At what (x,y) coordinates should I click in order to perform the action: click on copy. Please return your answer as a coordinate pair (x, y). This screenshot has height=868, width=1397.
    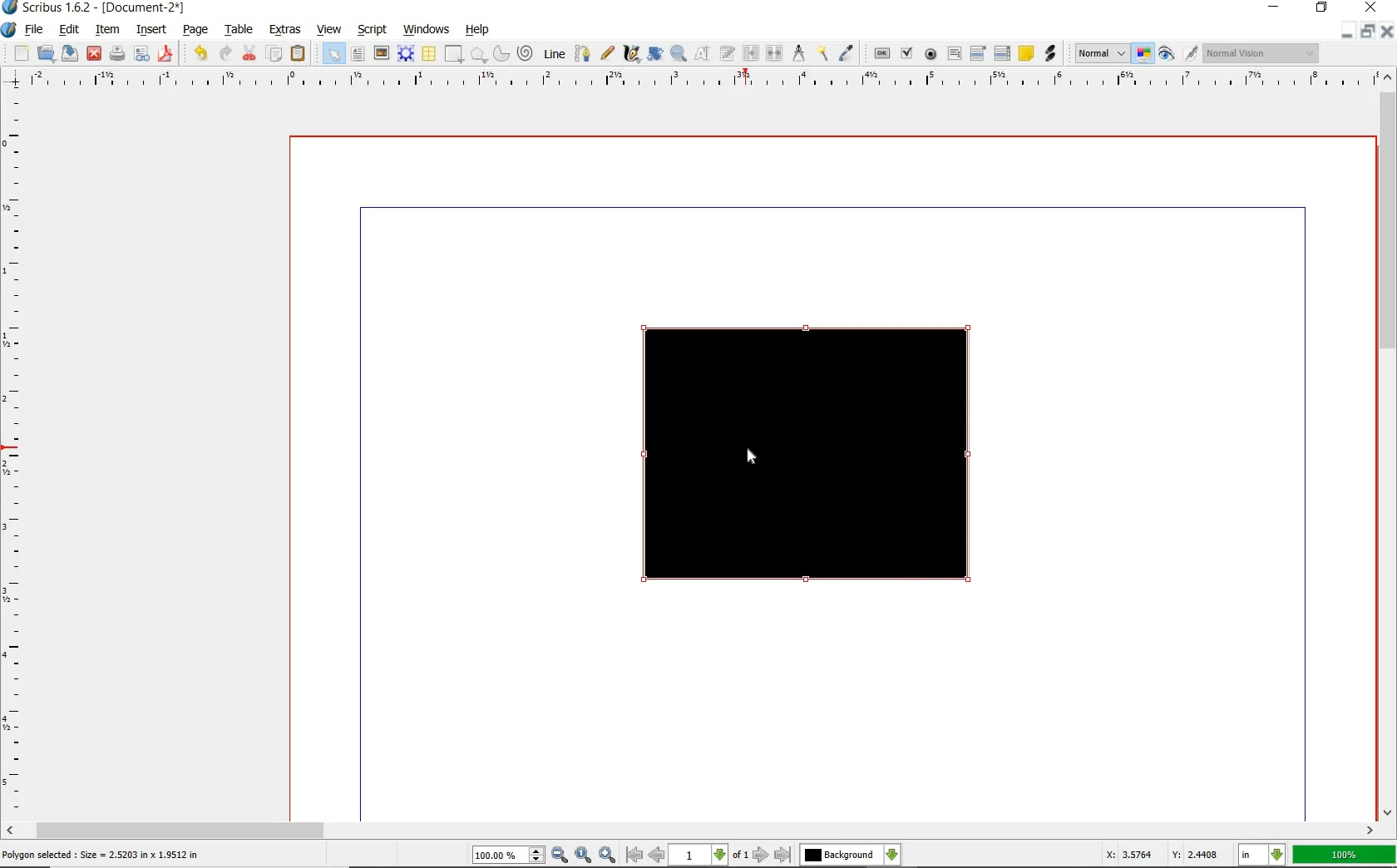
    Looking at the image, I should click on (276, 52).